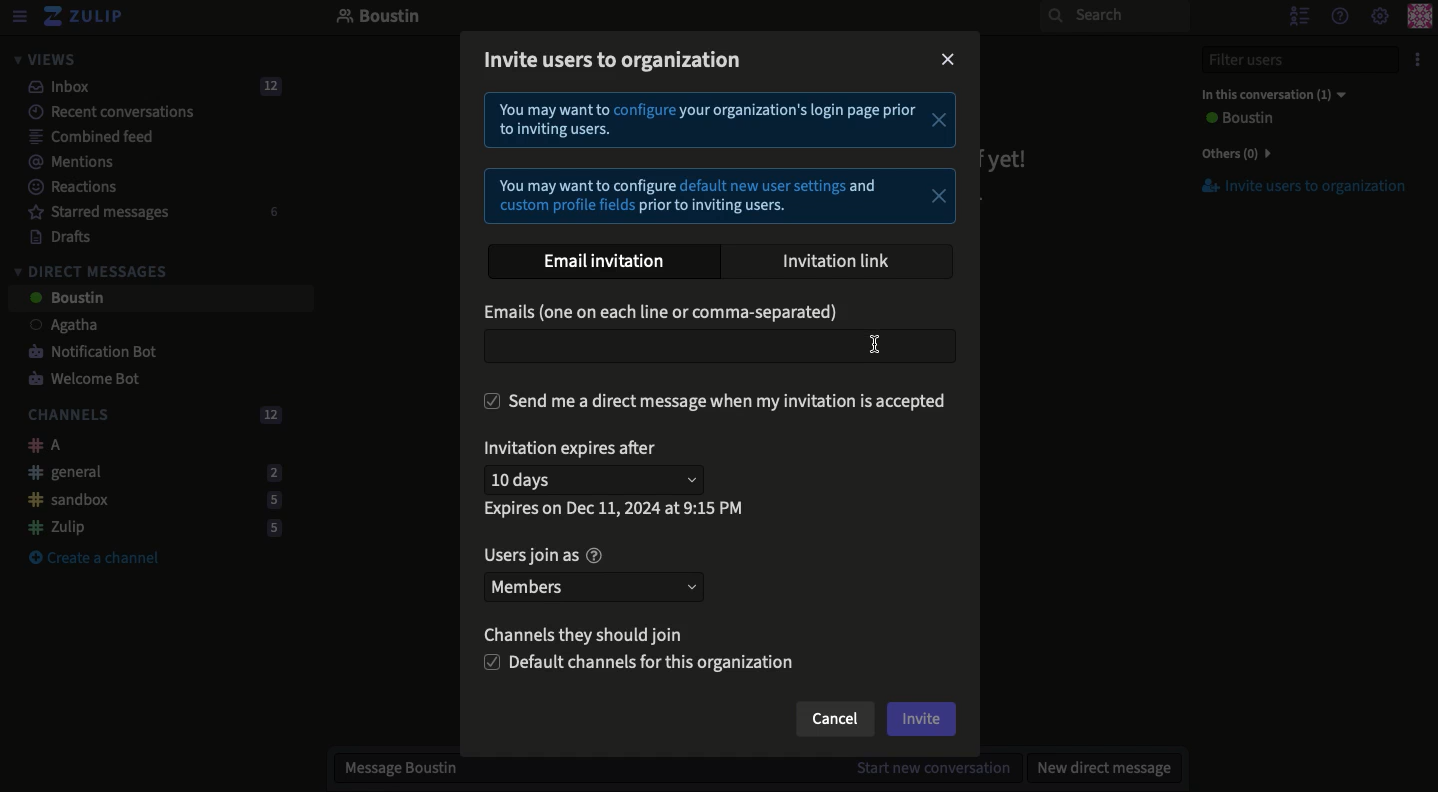 The image size is (1438, 792). What do you see at coordinates (147, 501) in the screenshot?
I see `Sandbox` at bounding box center [147, 501].